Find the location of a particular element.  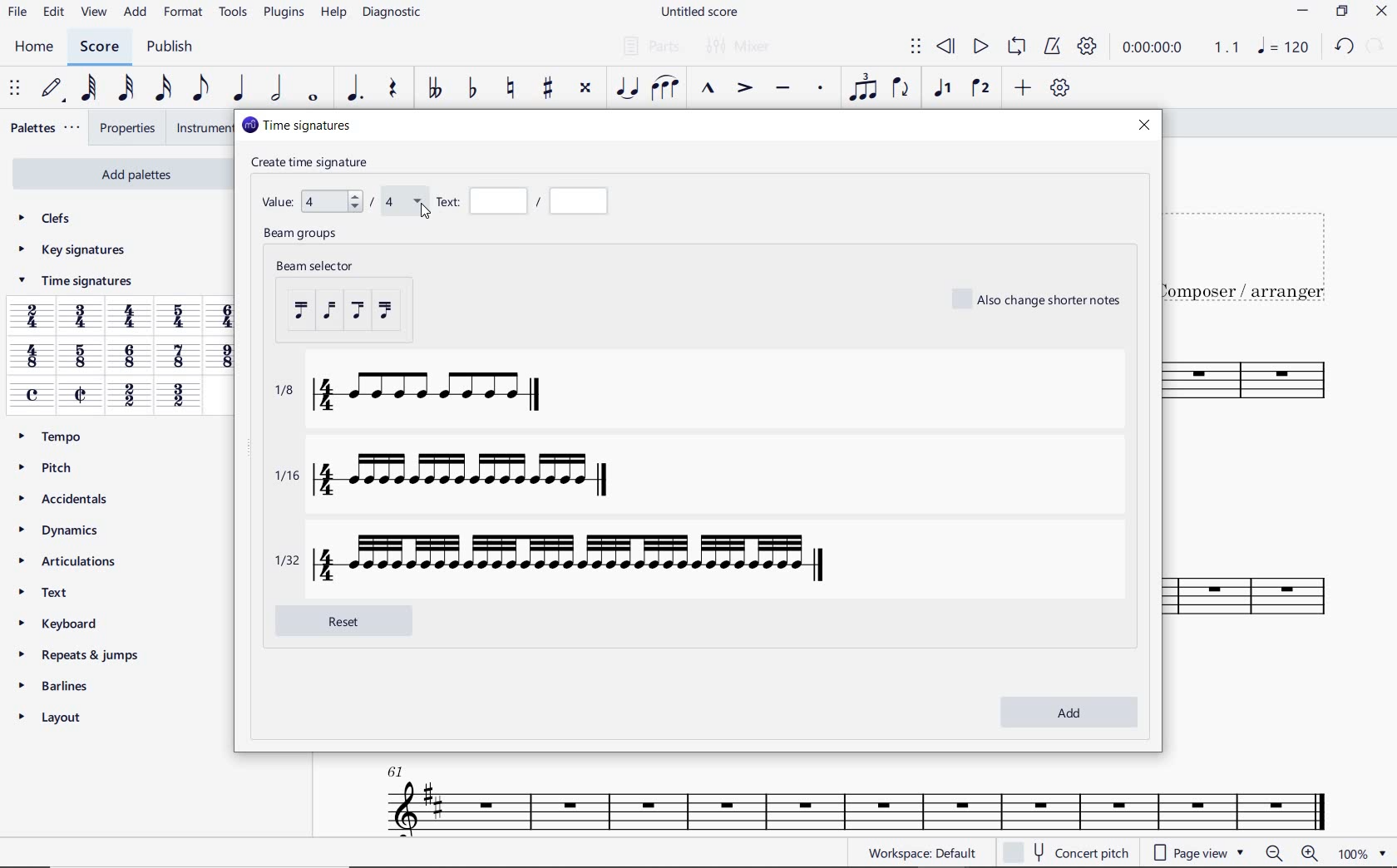

close is located at coordinates (1146, 128).